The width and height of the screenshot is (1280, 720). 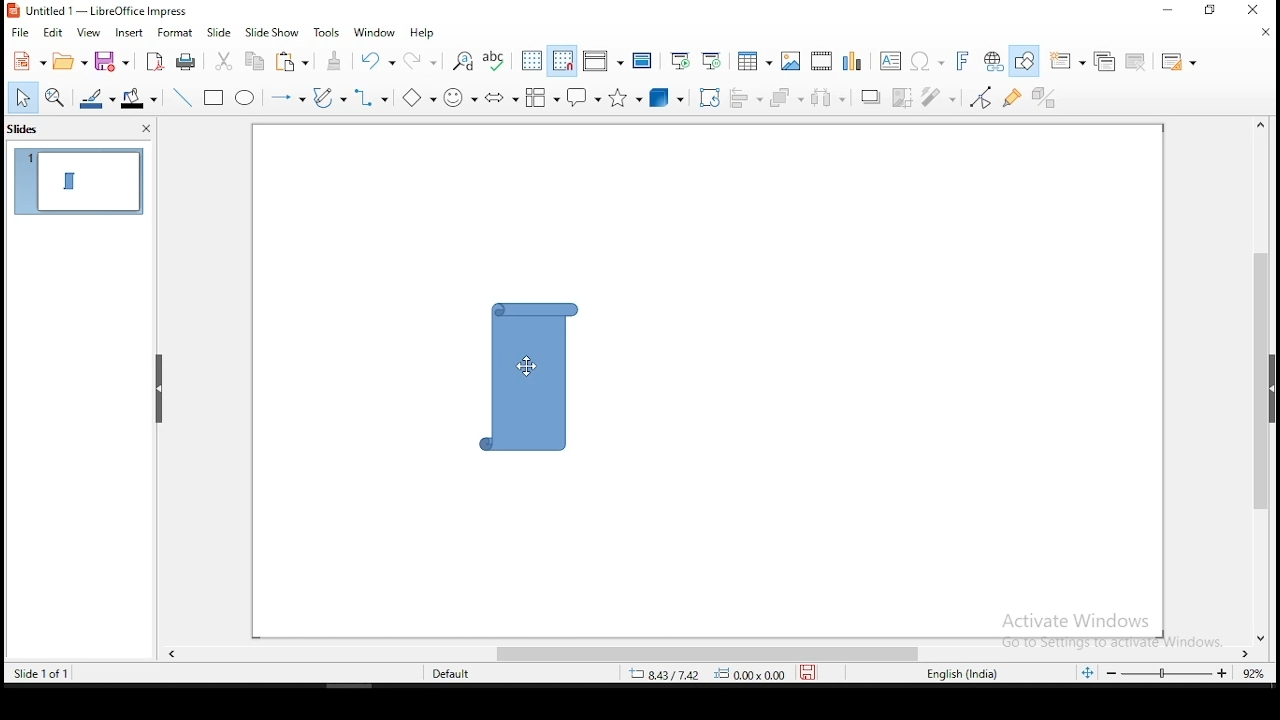 I want to click on new, so click(x=28, y=61).